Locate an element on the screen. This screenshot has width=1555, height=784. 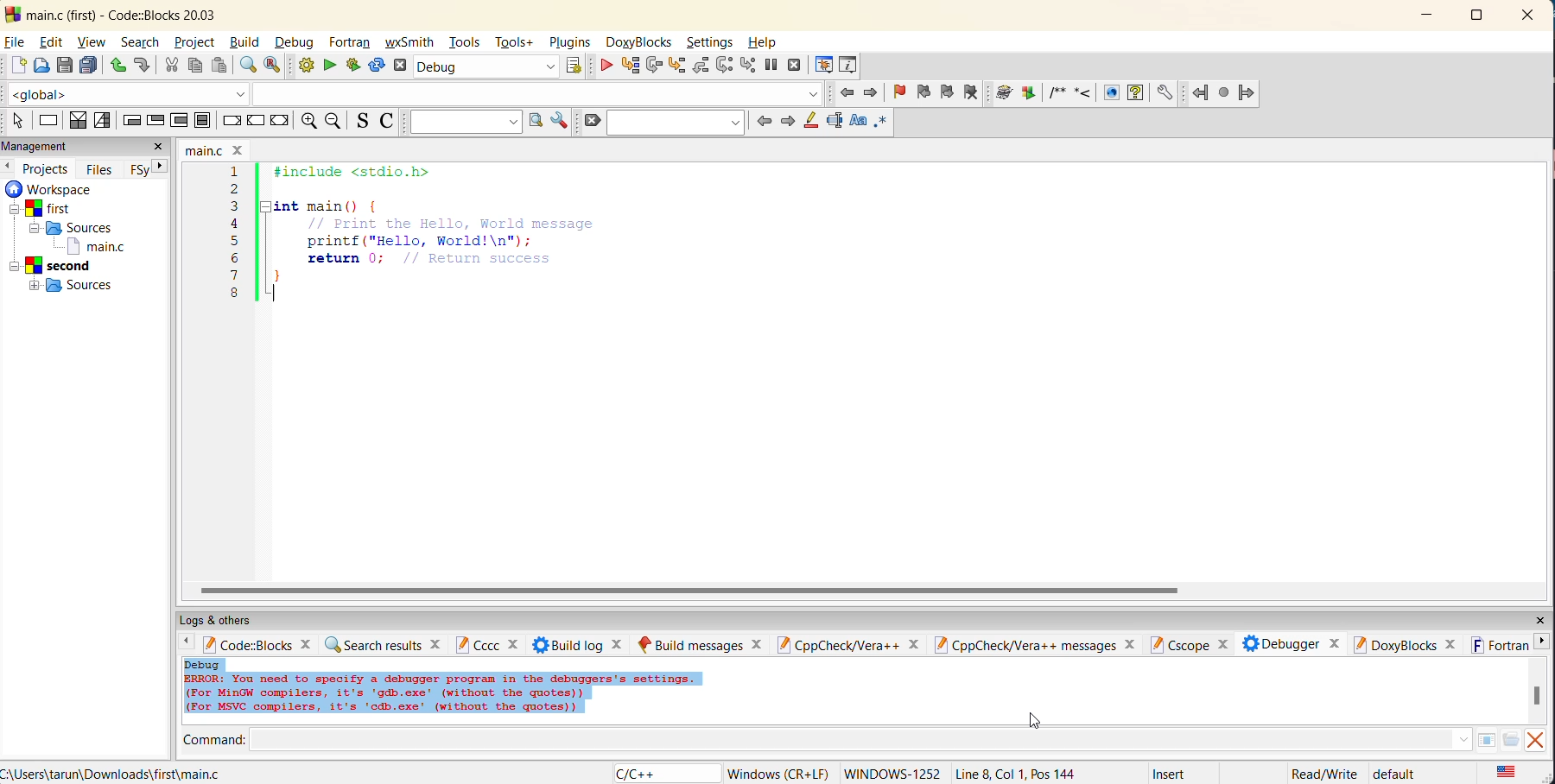
wxsmith is located at coordinates (412, 44).